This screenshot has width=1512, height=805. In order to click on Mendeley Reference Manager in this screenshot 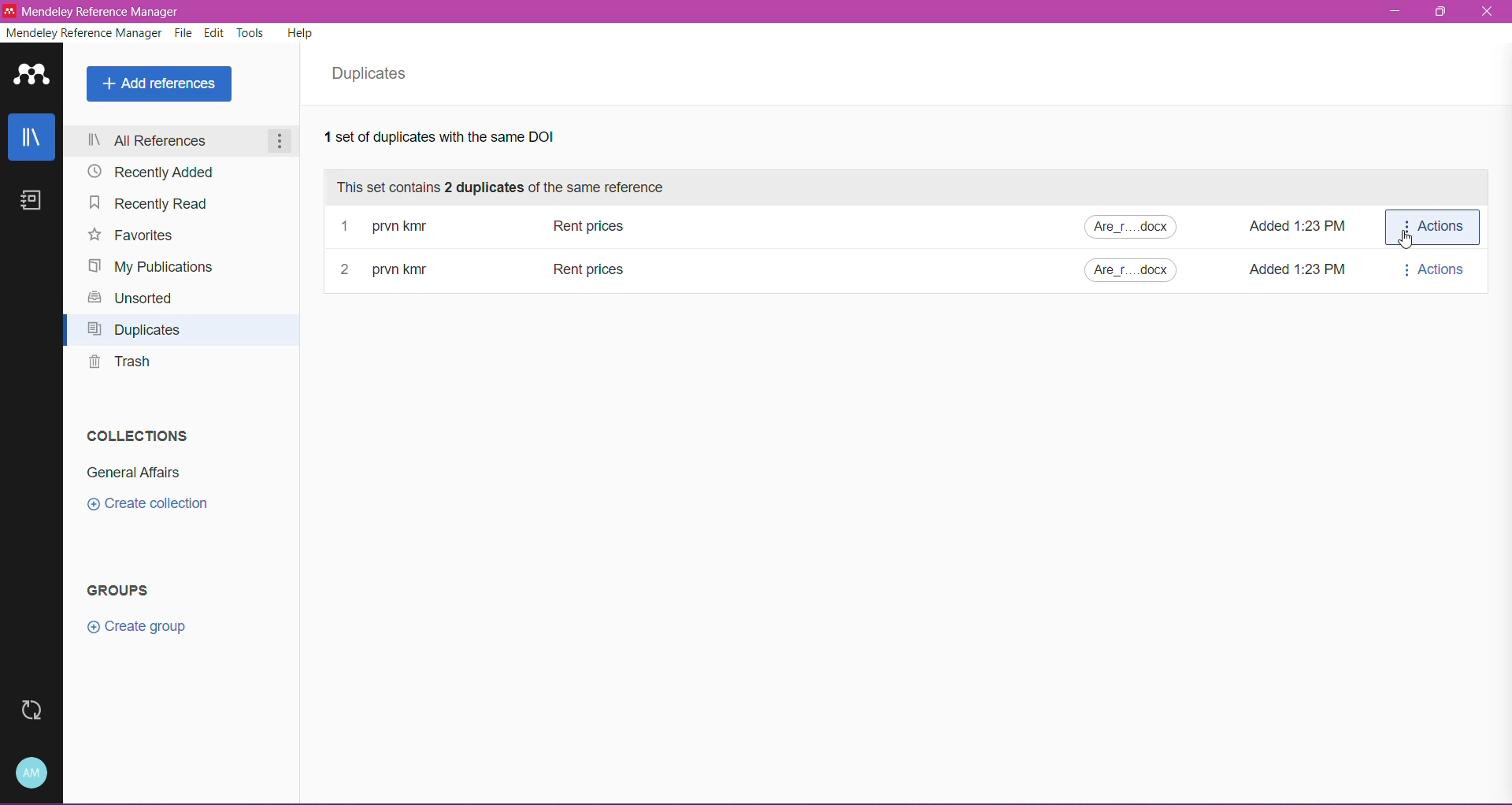, I will do `click(83, 35)`.